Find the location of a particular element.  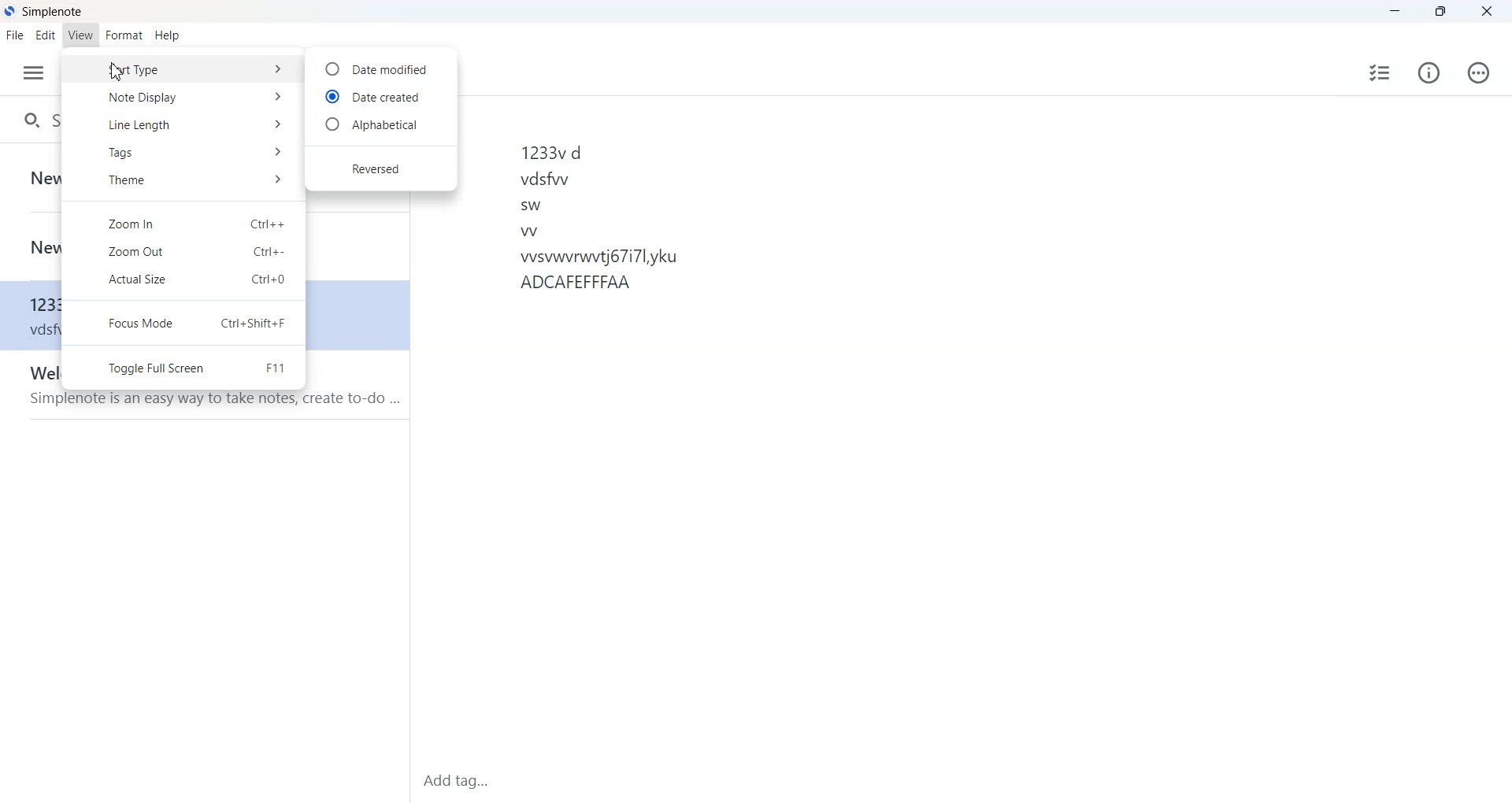

Tags is located at coordinates (183, 153).